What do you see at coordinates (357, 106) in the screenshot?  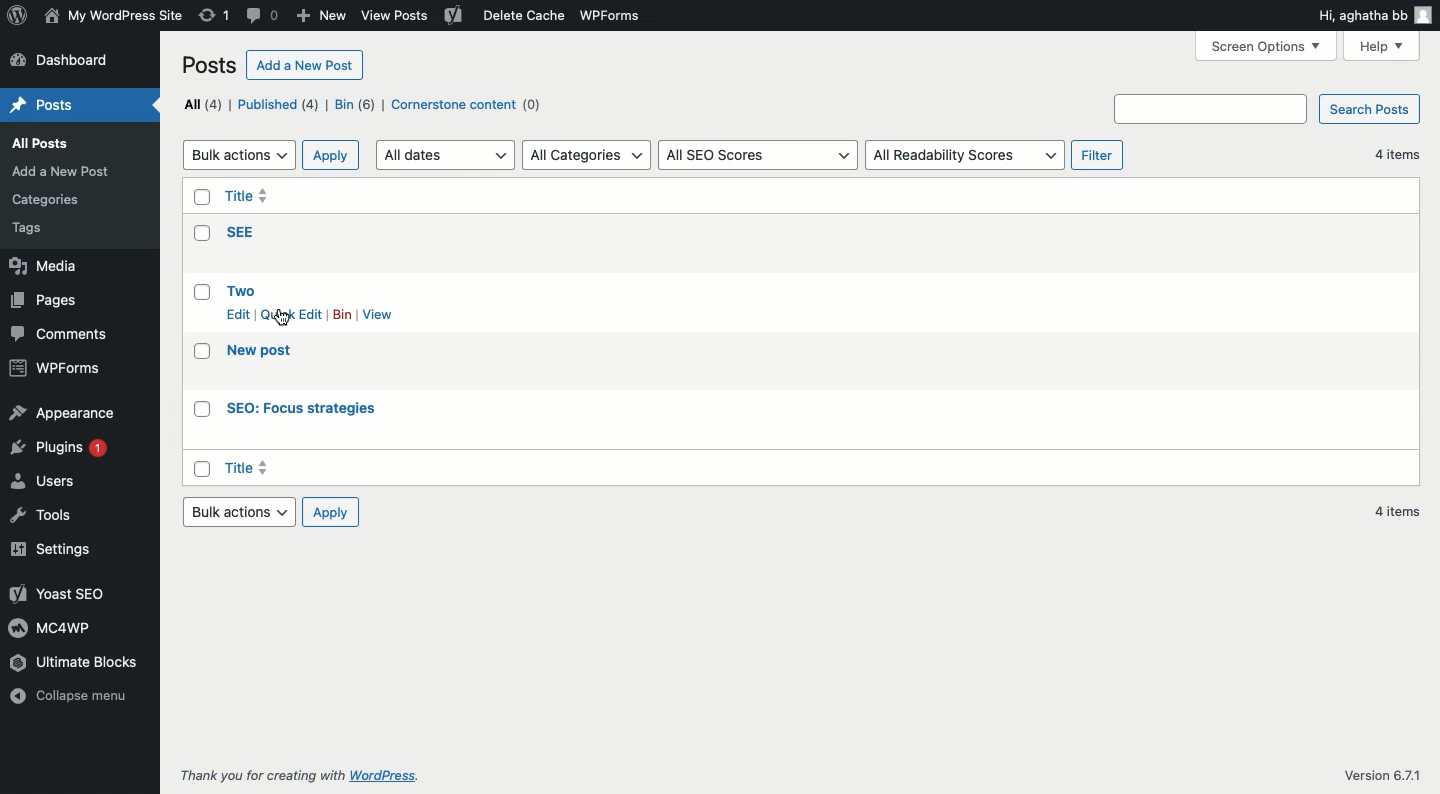 I see `Bin` at bounding box center [357, 106].